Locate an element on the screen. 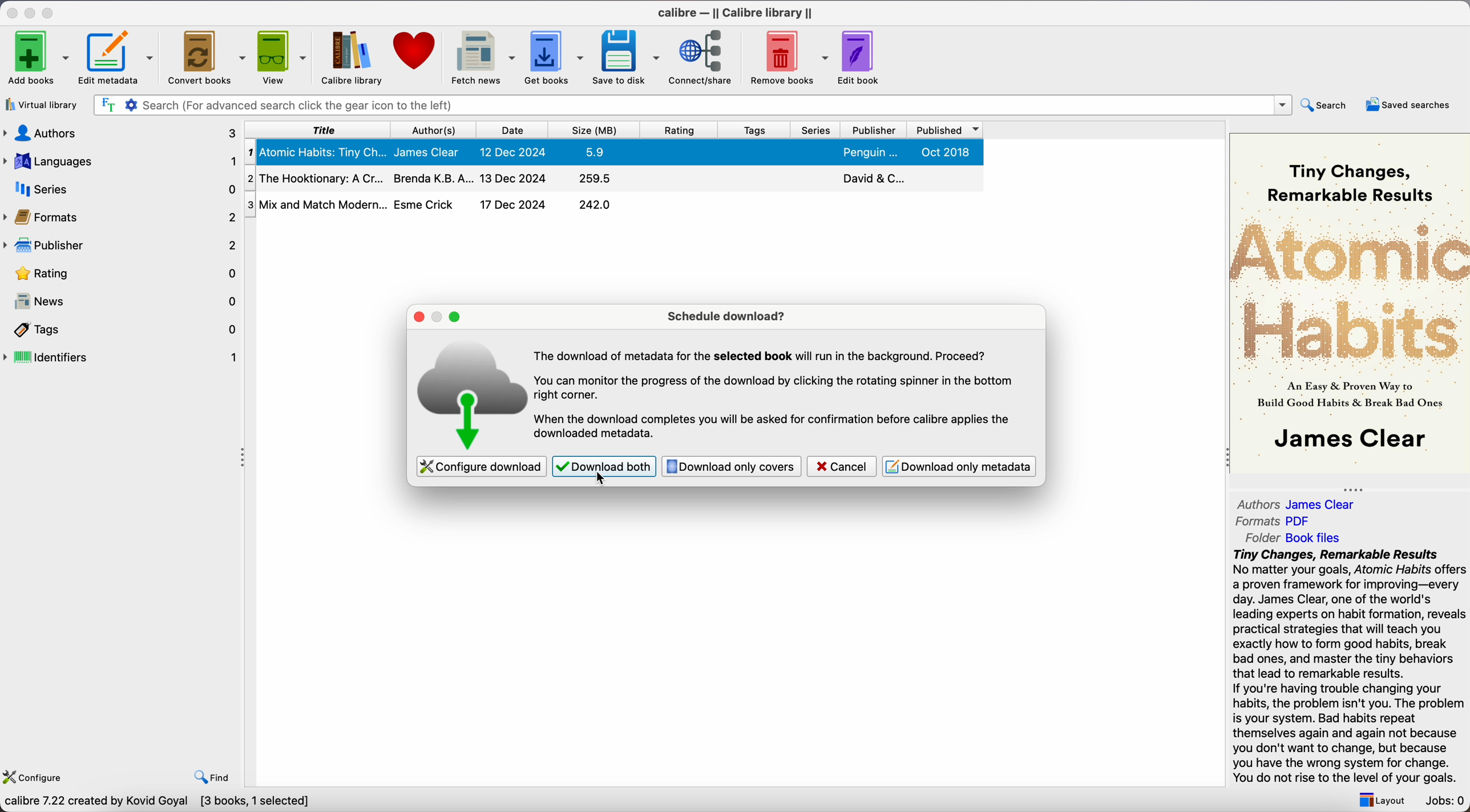 The image size is (1470, 812). Download both is located at coordinates (603, 467).